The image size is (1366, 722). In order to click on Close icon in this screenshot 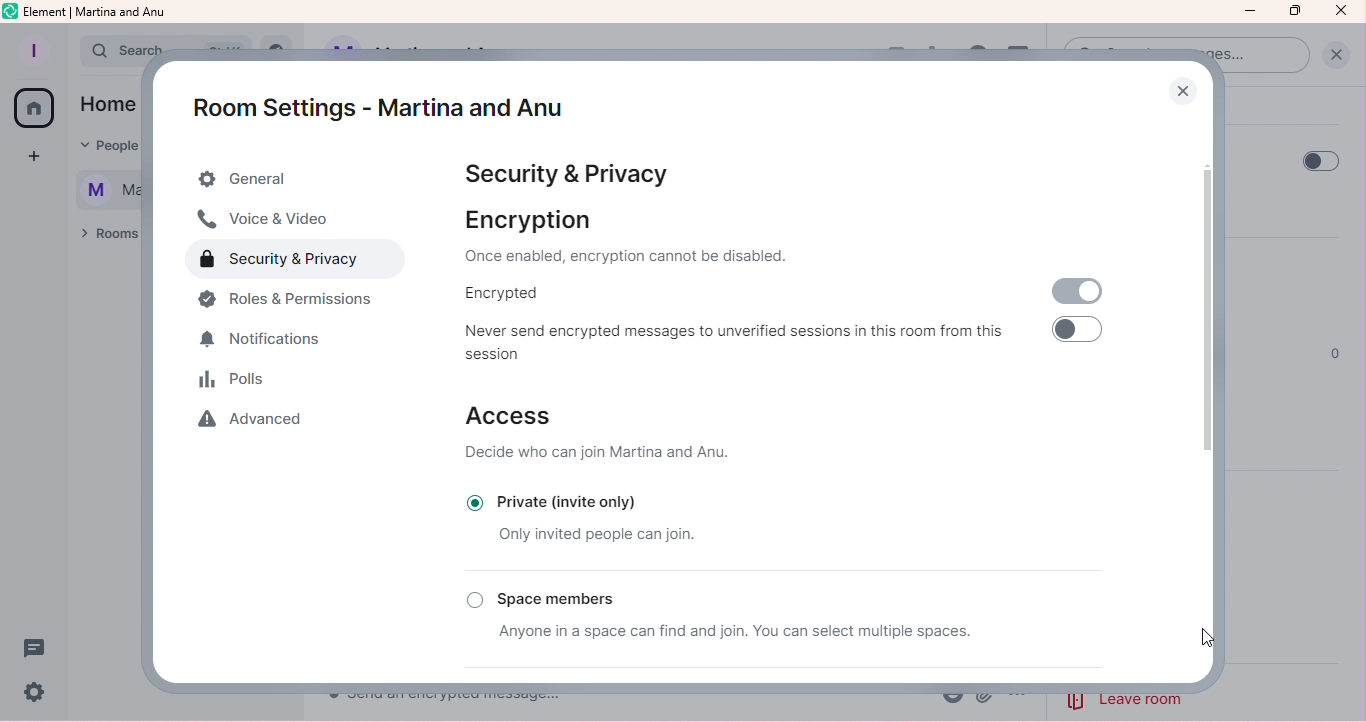, I will do `click(1341, 12)`.